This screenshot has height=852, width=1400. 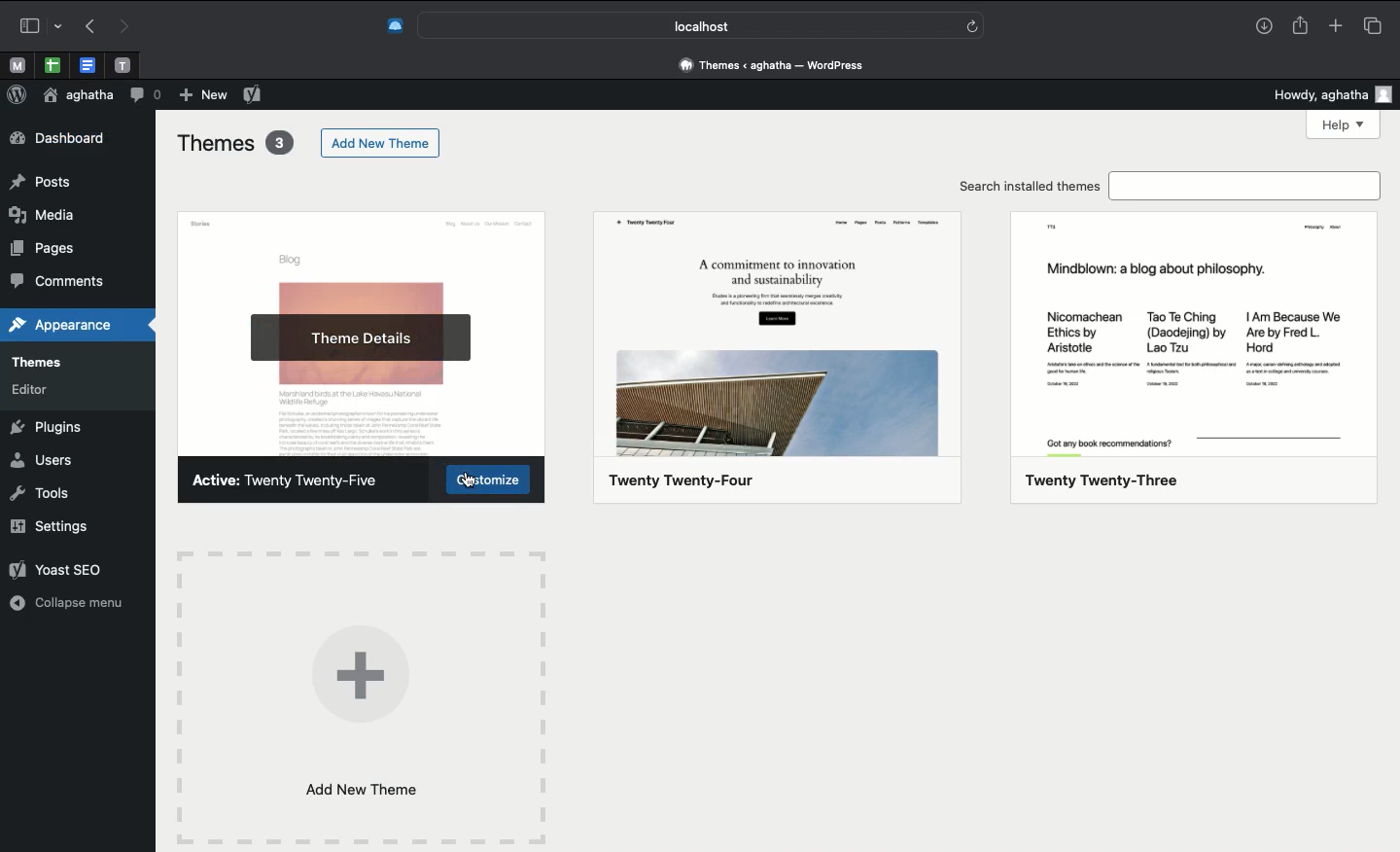 What do you see at coordinates (63, 359) in the screenshot?
I see `themes` at bounding box center [63, 359].